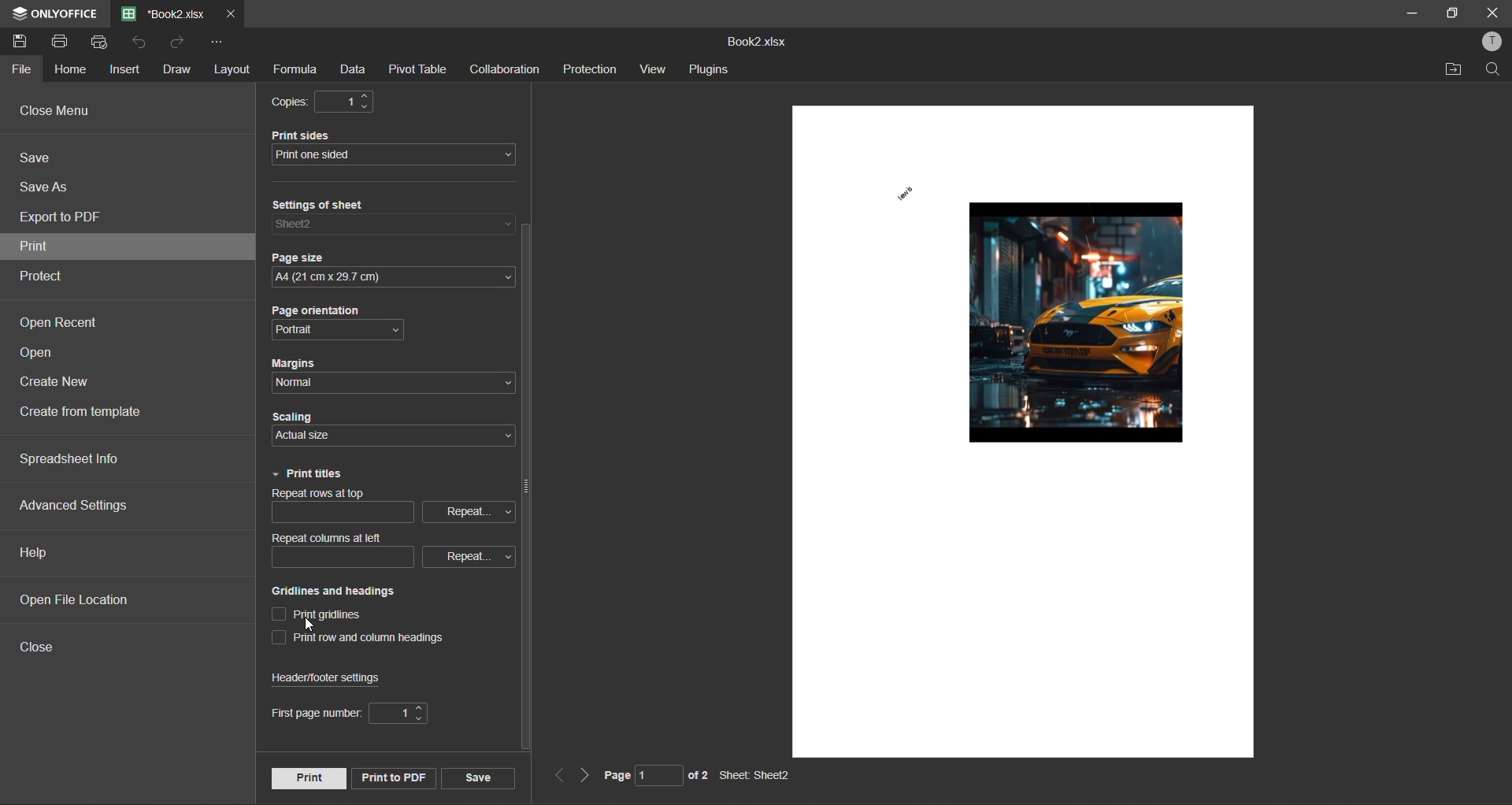  What do you see at coordinates (69, 72) in the screenshot?
I see `home` at bounding box center [69, 72].